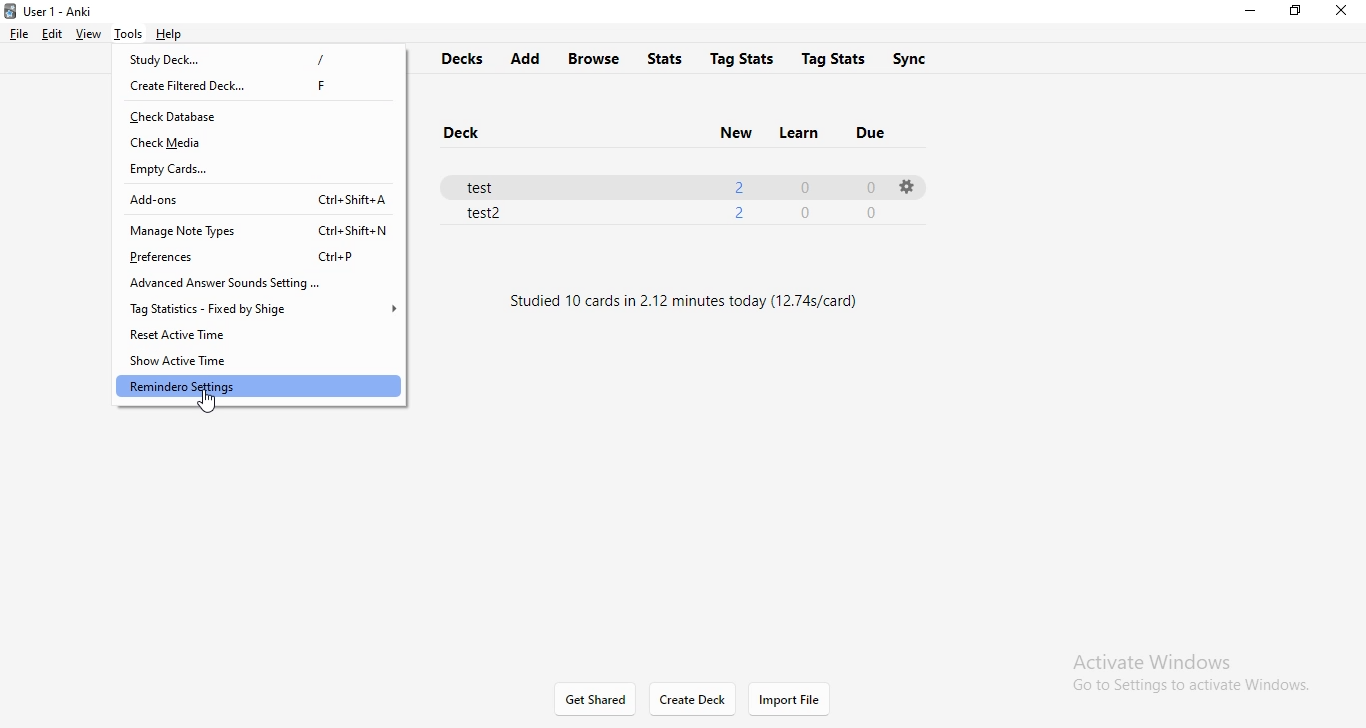 The width and height of the screenshot is (1366, 728). What do you see at coordinates (264, 282) in the screenshot?
I see `advanced answer sounds settings` at bounding box center [264, 282].